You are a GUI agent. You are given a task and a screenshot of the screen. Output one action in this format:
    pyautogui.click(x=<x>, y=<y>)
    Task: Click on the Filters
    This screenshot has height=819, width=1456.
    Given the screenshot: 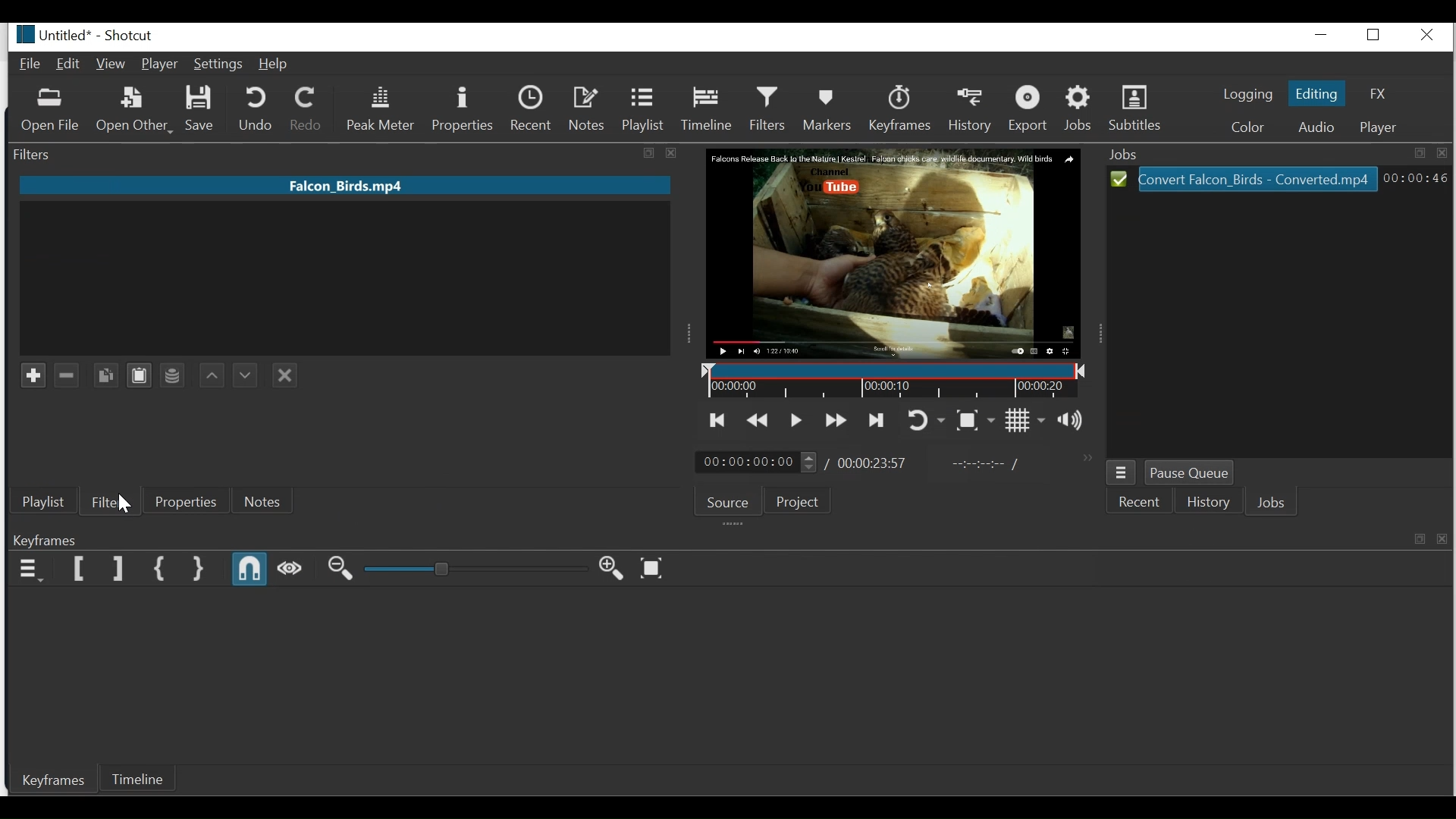 What is the action you would take?
    pyautogui.click(x=767, y=107)
    